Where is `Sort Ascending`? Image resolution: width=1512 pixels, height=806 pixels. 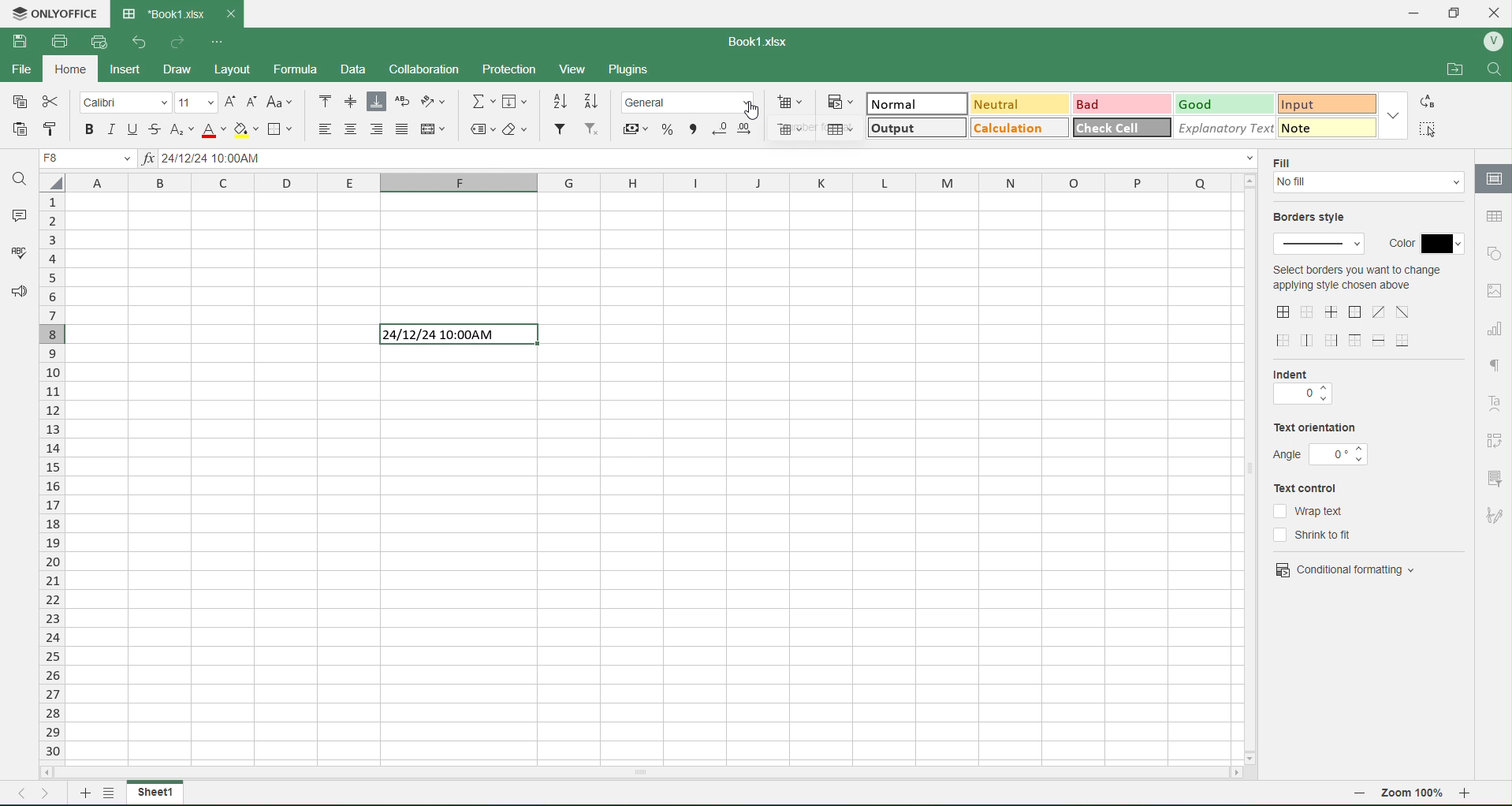
Sort Ascending is located at coordinates (561, 101).